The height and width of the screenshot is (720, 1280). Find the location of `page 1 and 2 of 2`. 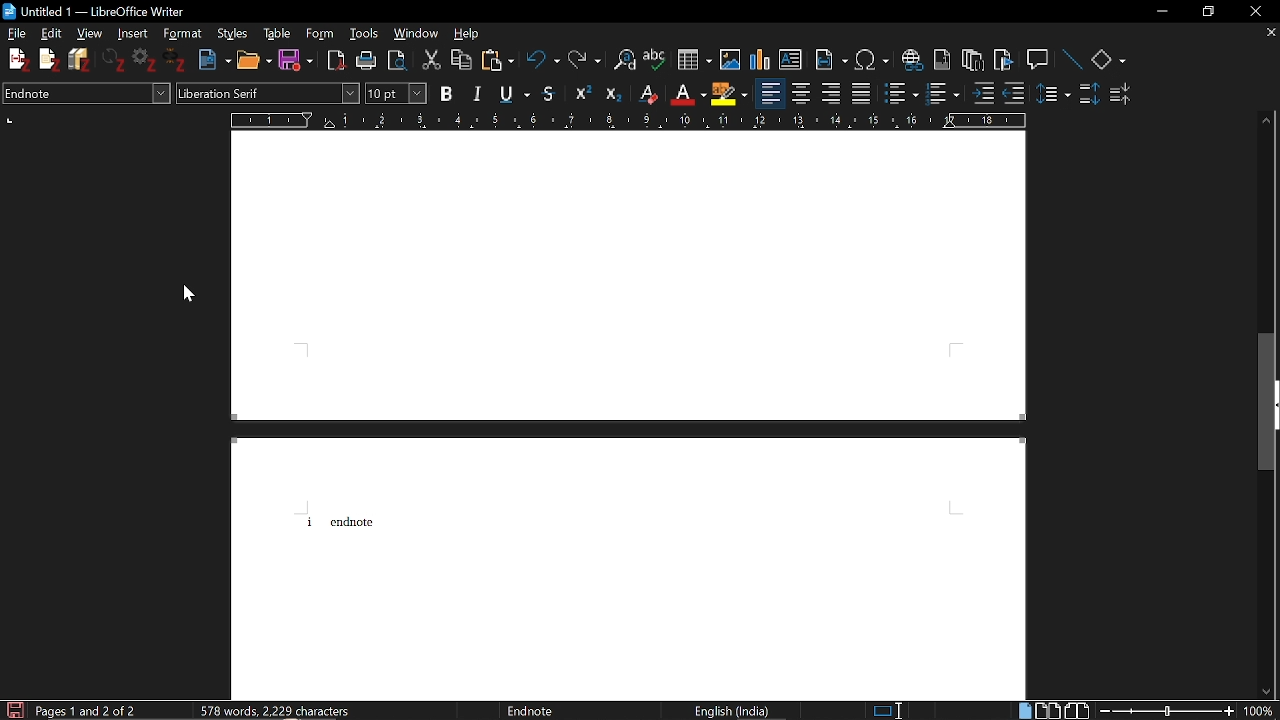

page 1 and 2 of 2 is located at coordinates (88, 710).